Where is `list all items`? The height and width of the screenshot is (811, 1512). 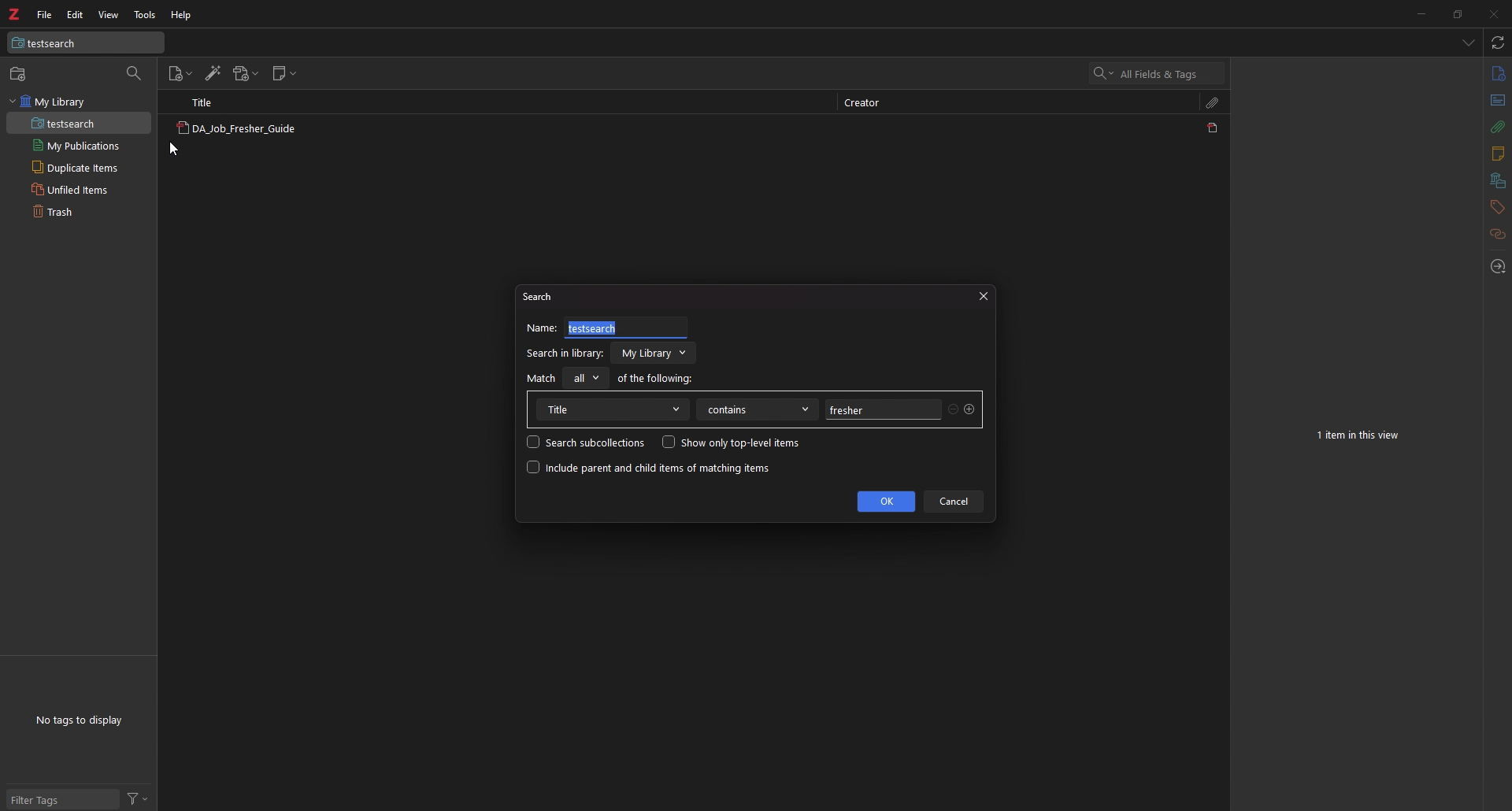
list all items is located at coordinates (1469, 42).